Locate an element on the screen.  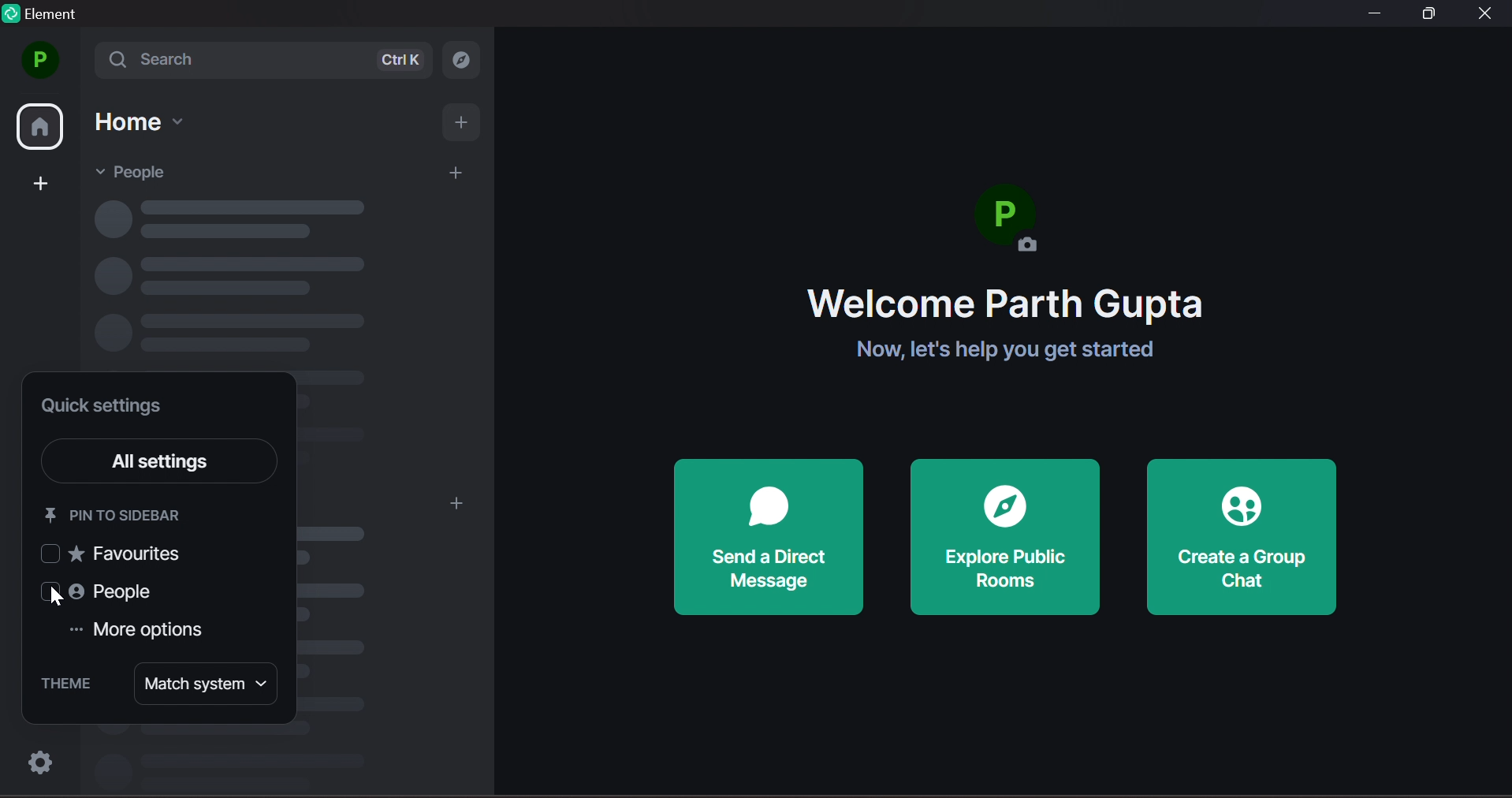
Quick settings is located at coordinates (106, 408).